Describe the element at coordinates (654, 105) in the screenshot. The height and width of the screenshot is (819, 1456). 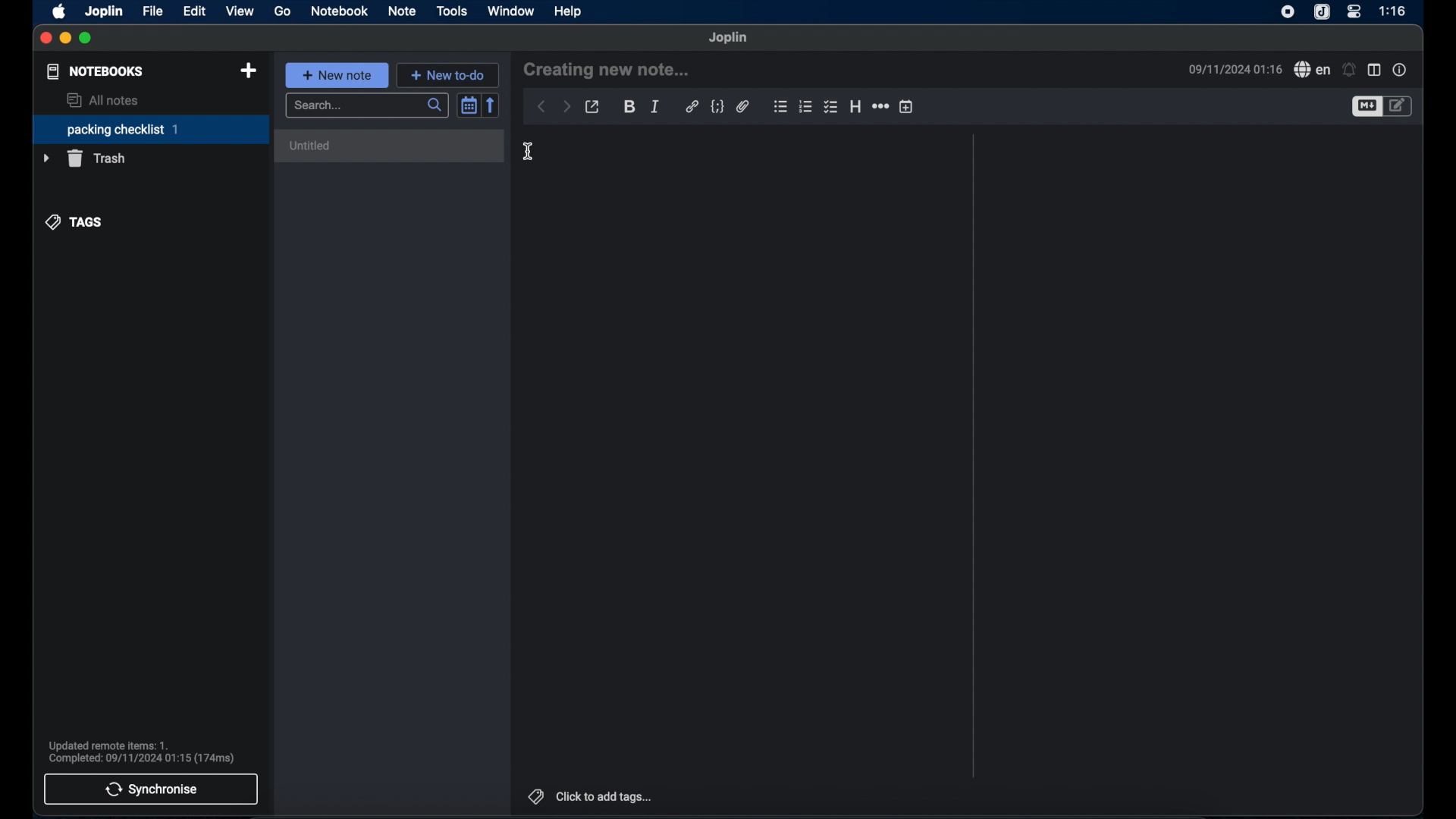
I see `italic` at that location.